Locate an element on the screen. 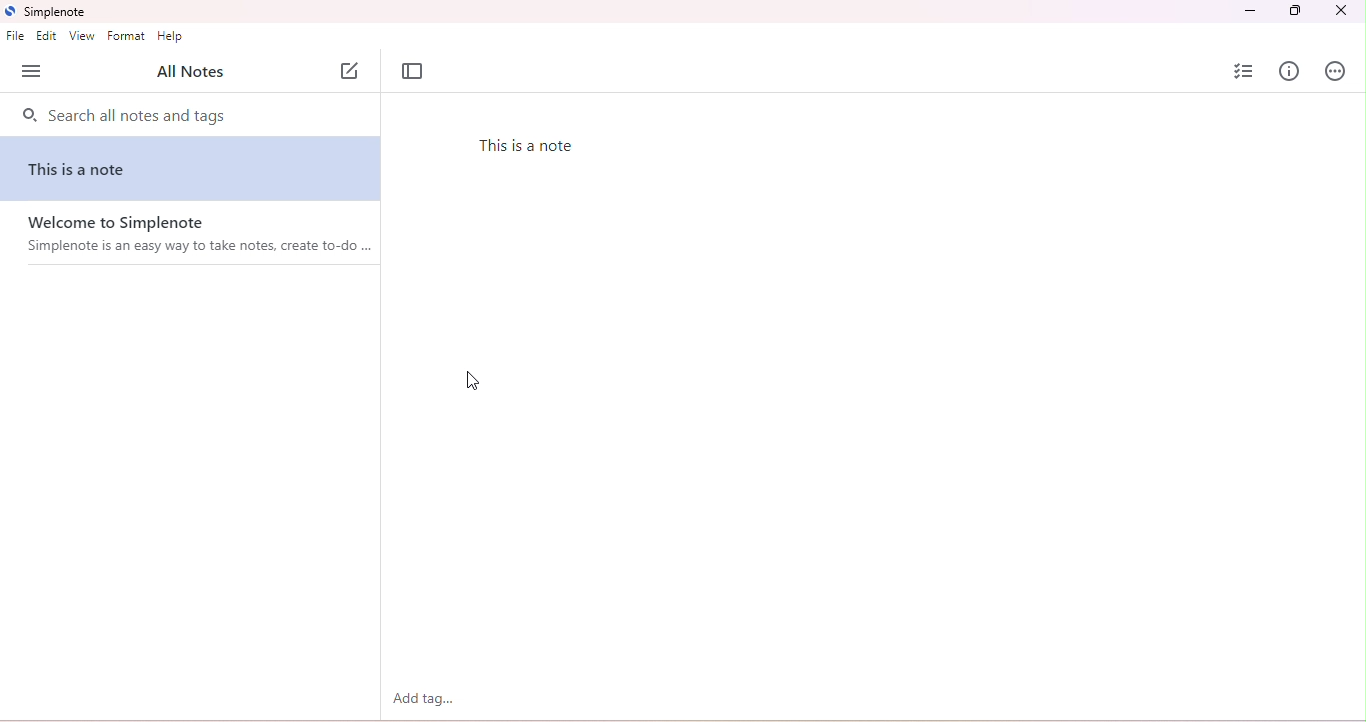 The height and width of the screenshot is (722, 1366). minimize is located at coordinates (1251, 11).